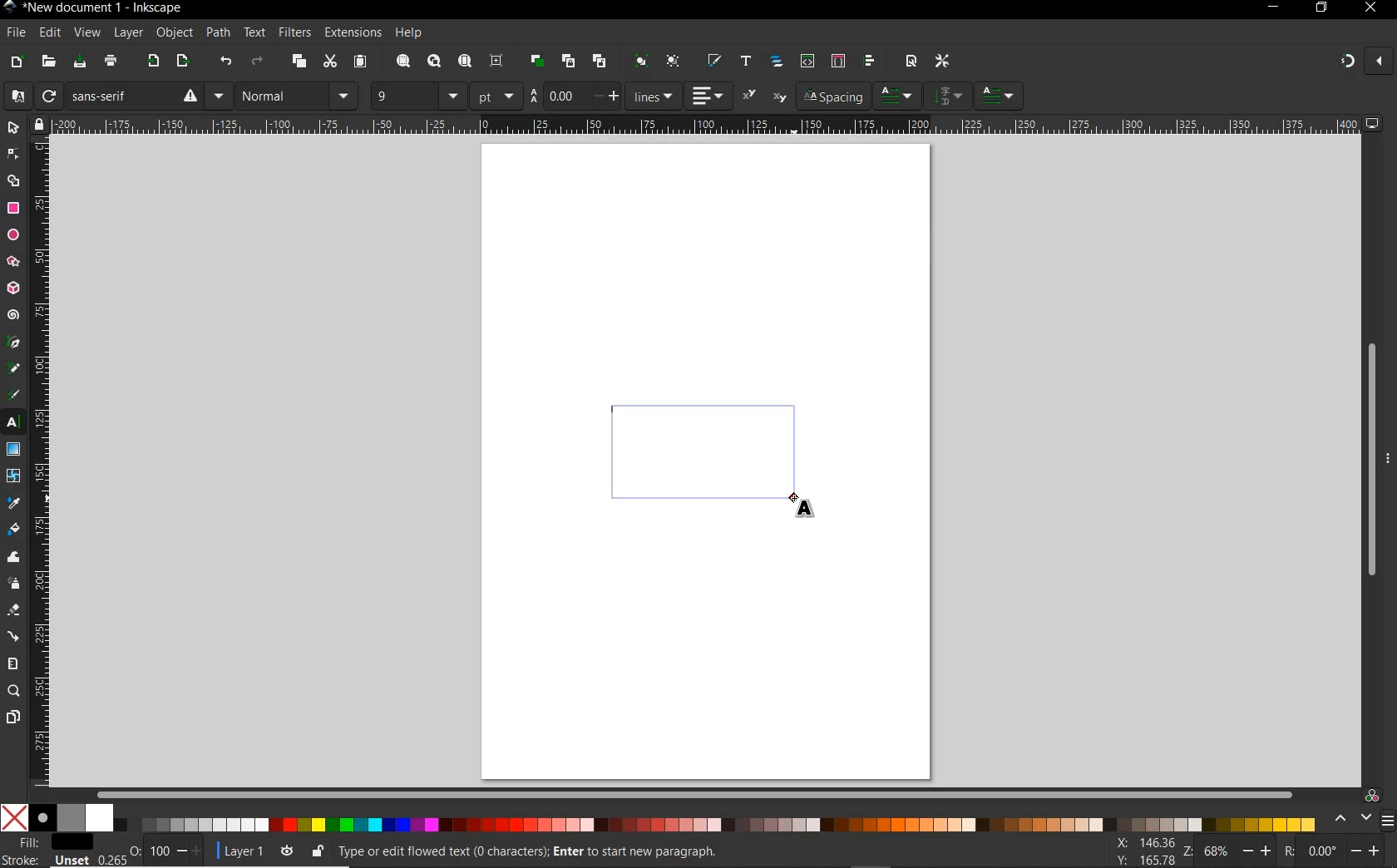 The image size is (1397, 868). I want to click on spray tool, so click(13, 584).